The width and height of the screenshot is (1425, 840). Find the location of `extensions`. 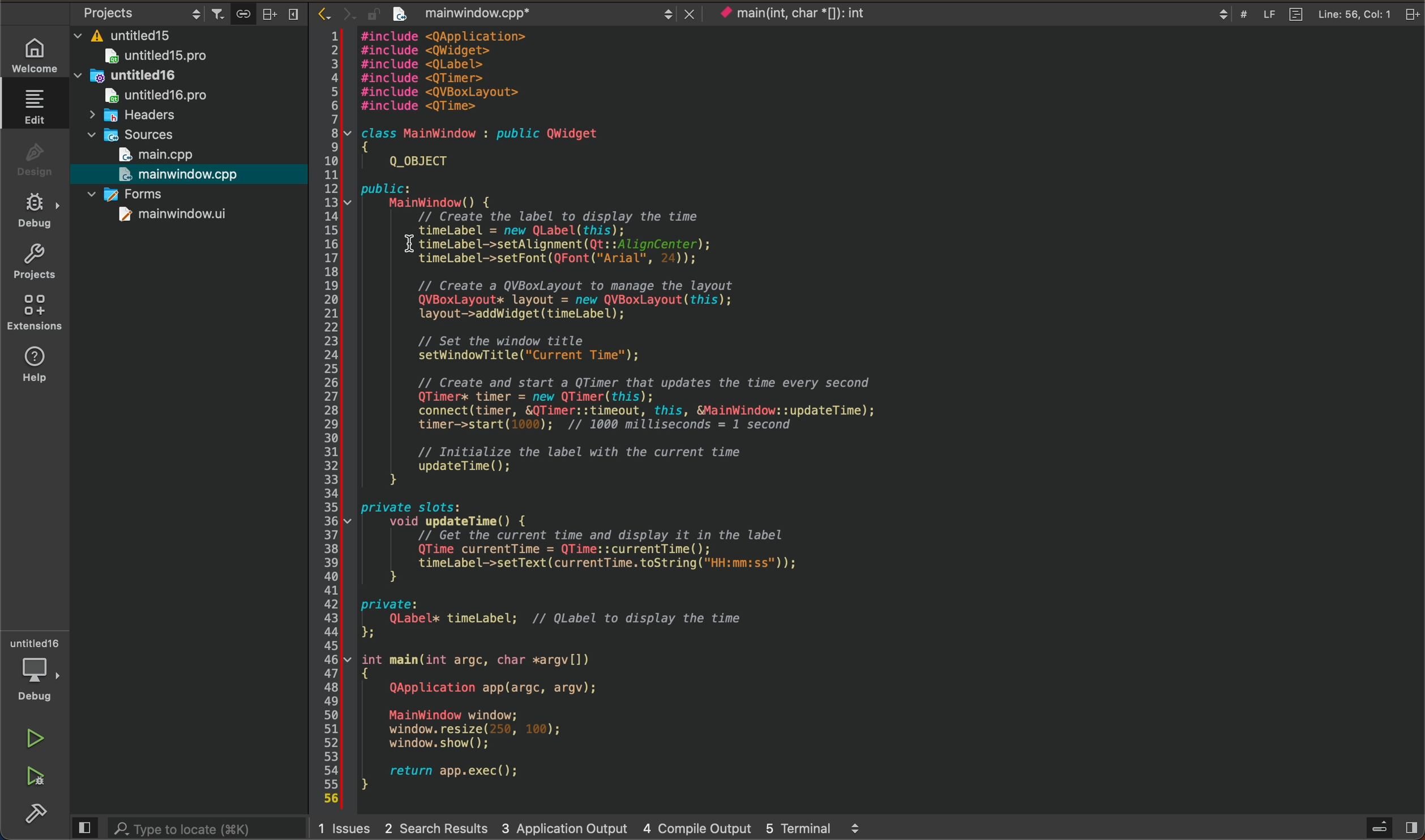

extensions is located at coordinates (34, 312).